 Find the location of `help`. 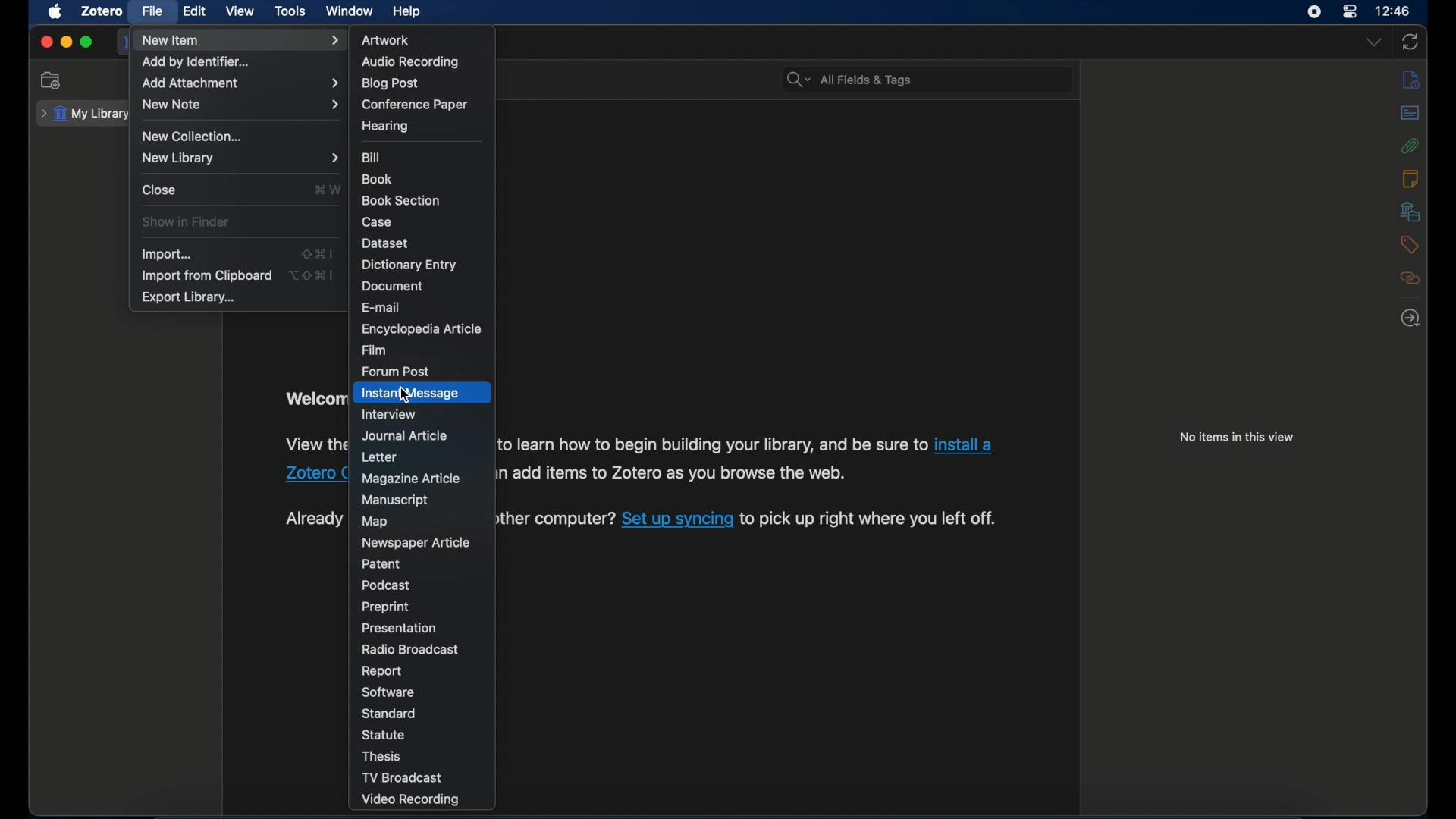

help is located at coordinates (408, 12).